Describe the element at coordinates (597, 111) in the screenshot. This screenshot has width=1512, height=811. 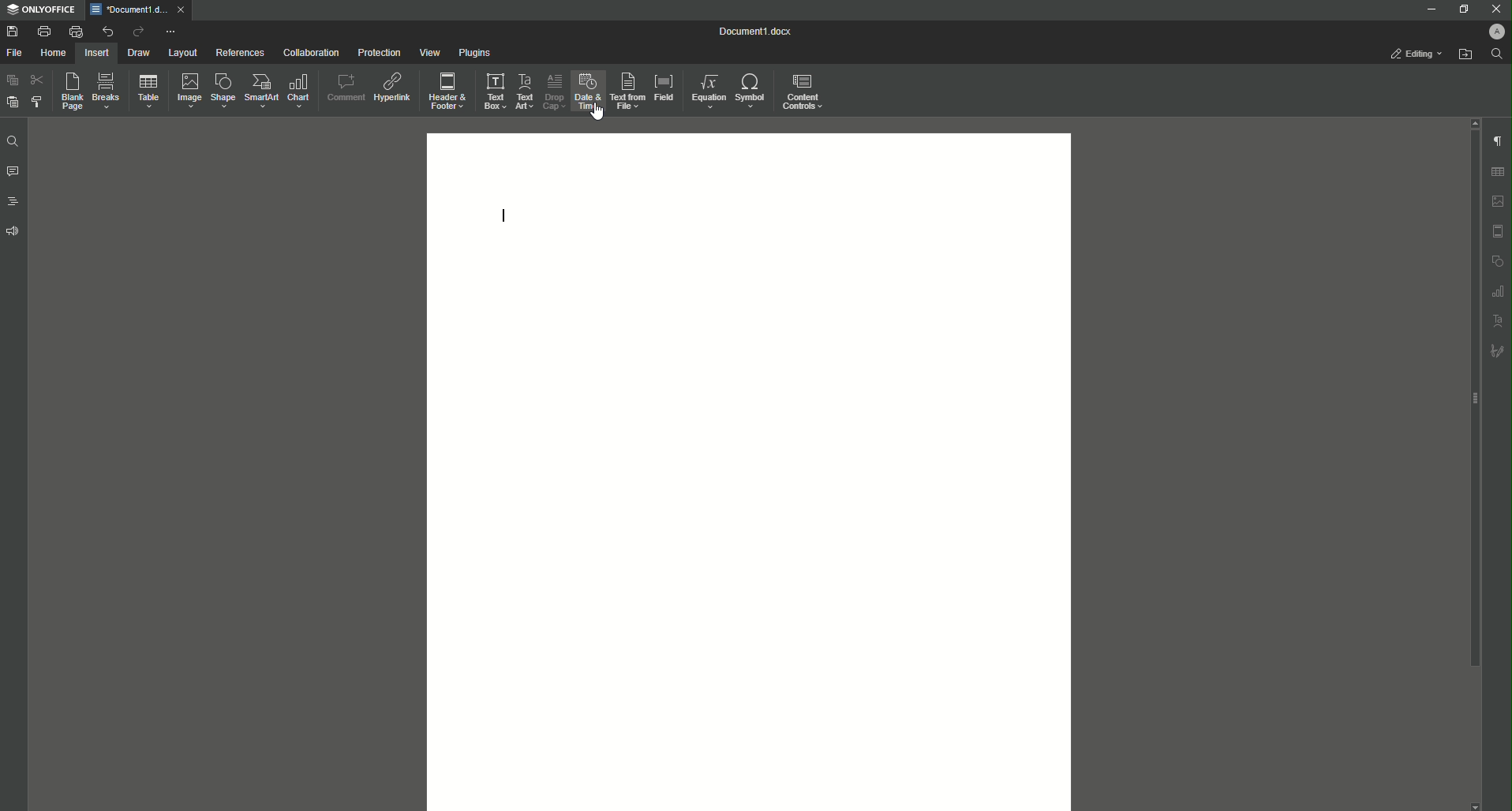
I see `cursor` at that location.